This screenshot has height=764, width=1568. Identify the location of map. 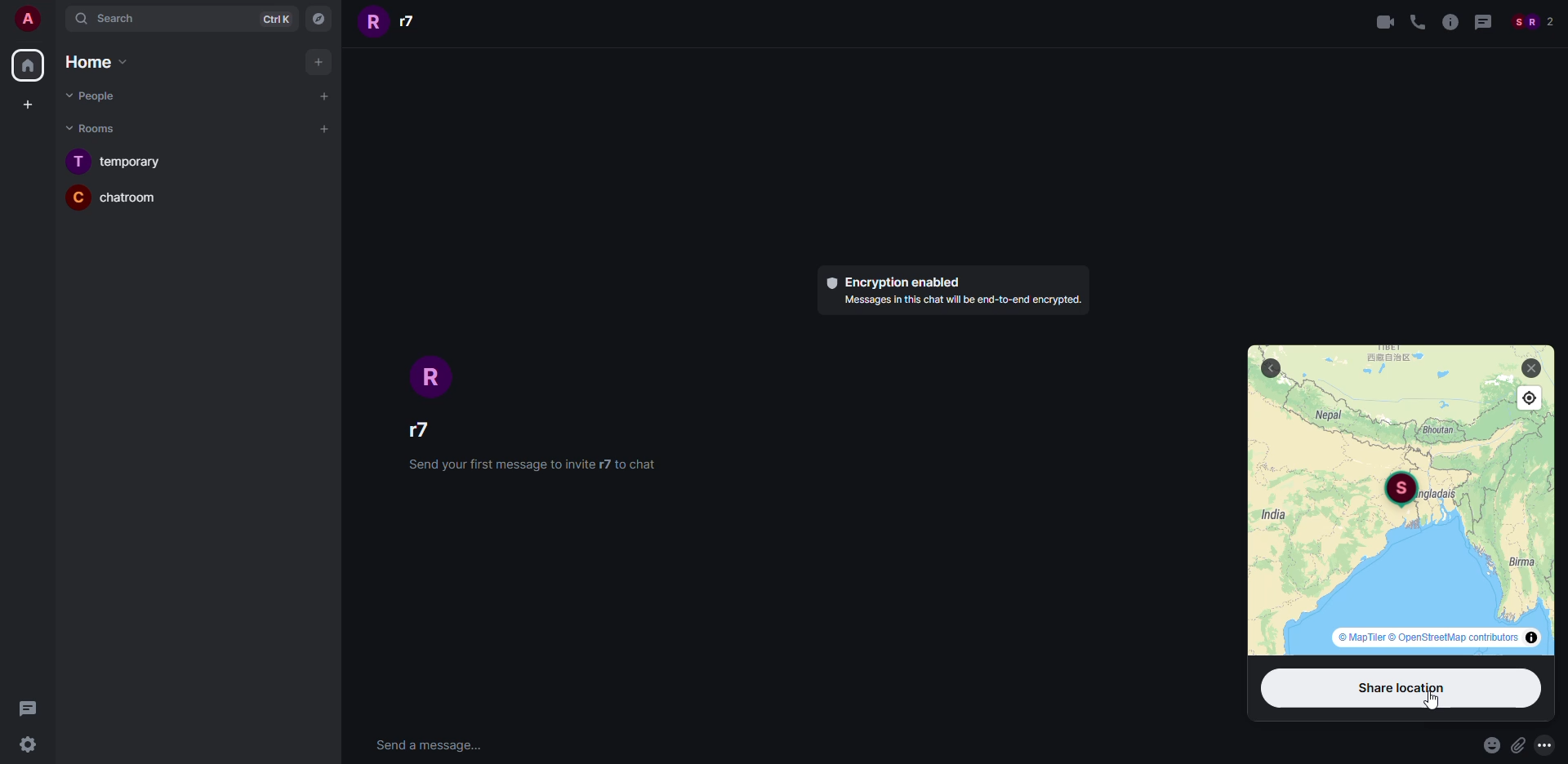
(1413, 561).